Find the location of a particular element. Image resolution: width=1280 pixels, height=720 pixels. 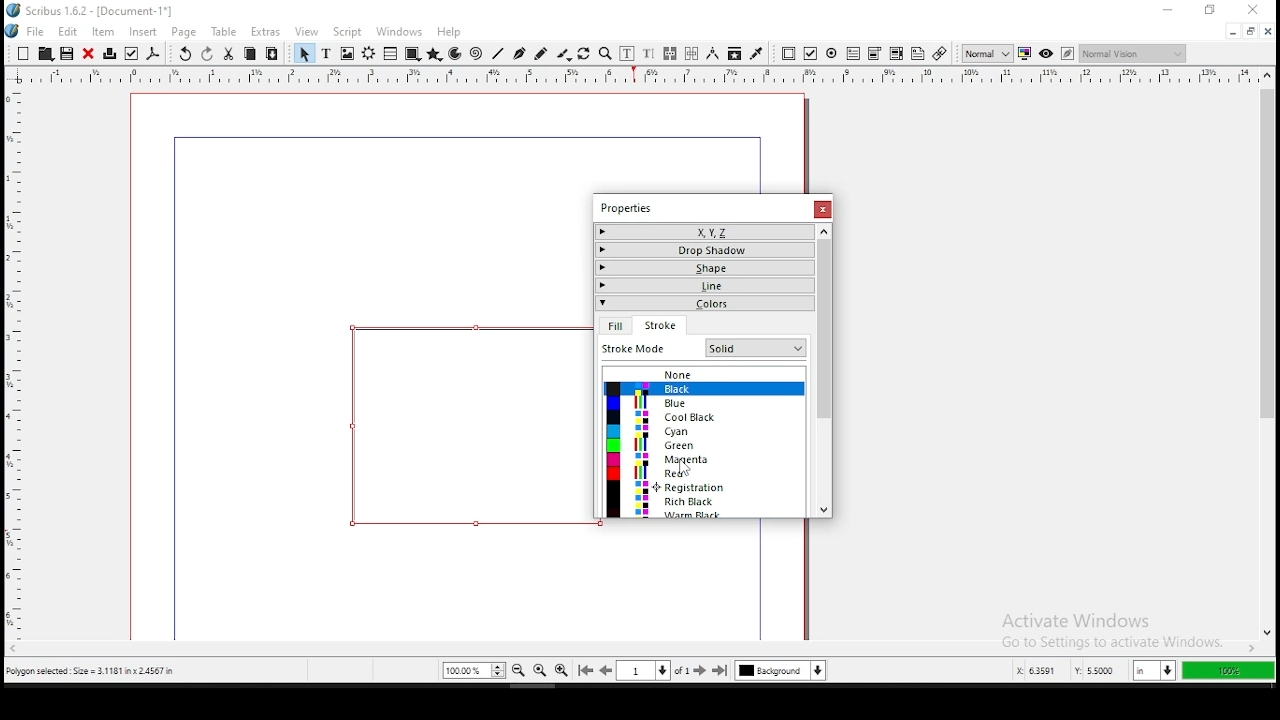

unlink text frames is located at coordinates (693, 54).